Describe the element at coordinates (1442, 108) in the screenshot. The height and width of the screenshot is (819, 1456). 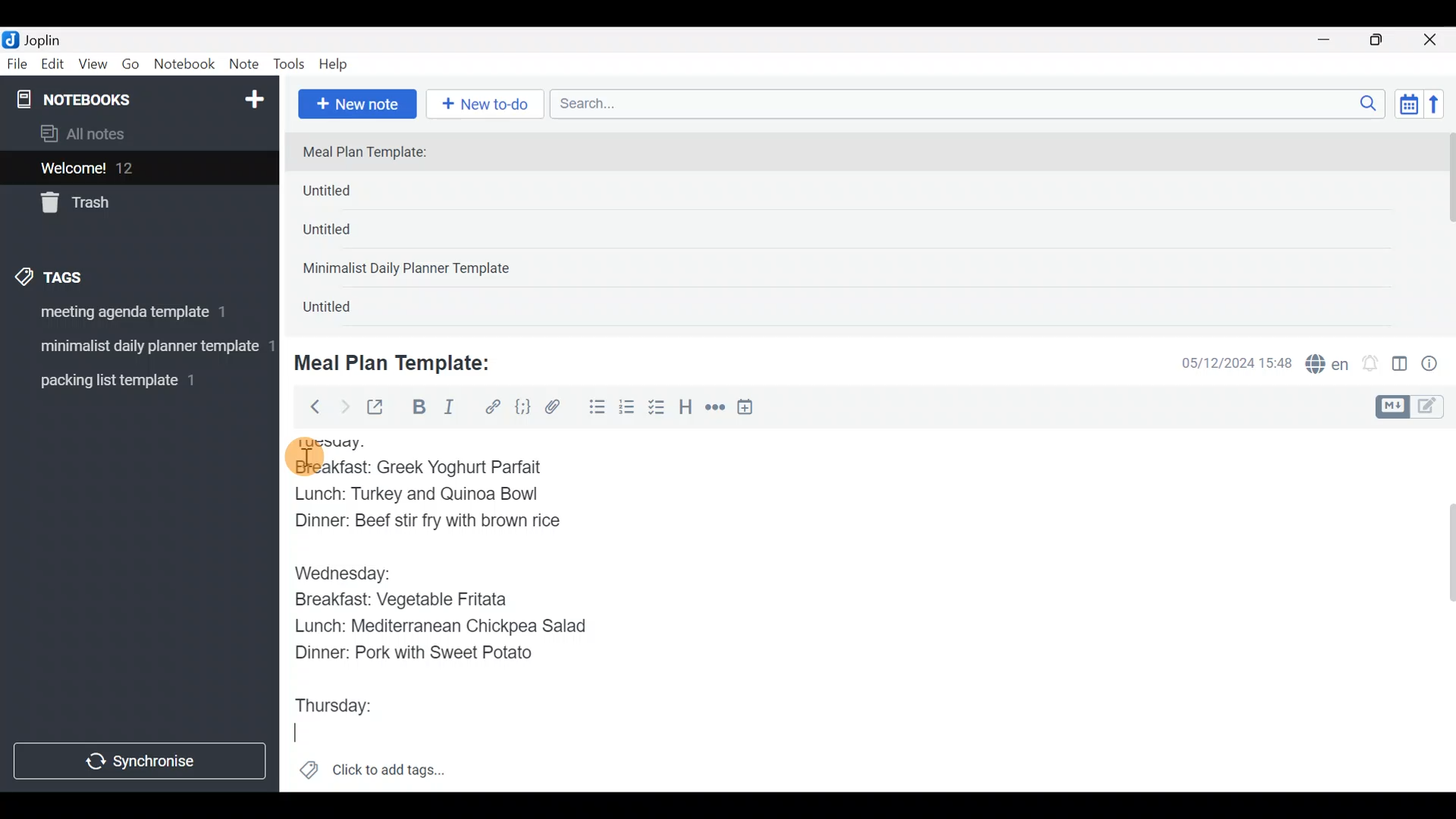
I see `Reverse sort` at that location.